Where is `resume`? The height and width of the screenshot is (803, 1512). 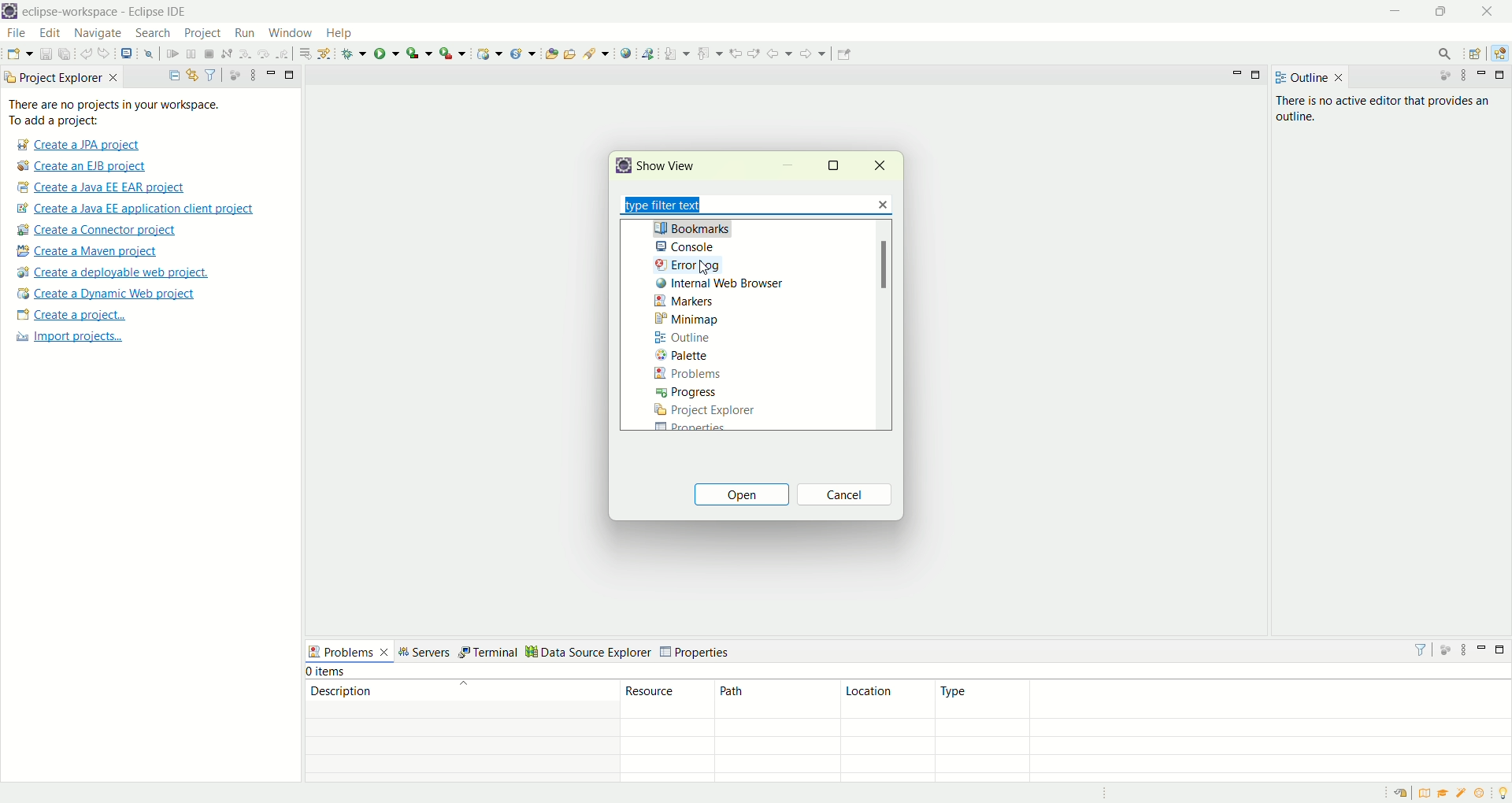 resume is located at coordinates (172, 53).